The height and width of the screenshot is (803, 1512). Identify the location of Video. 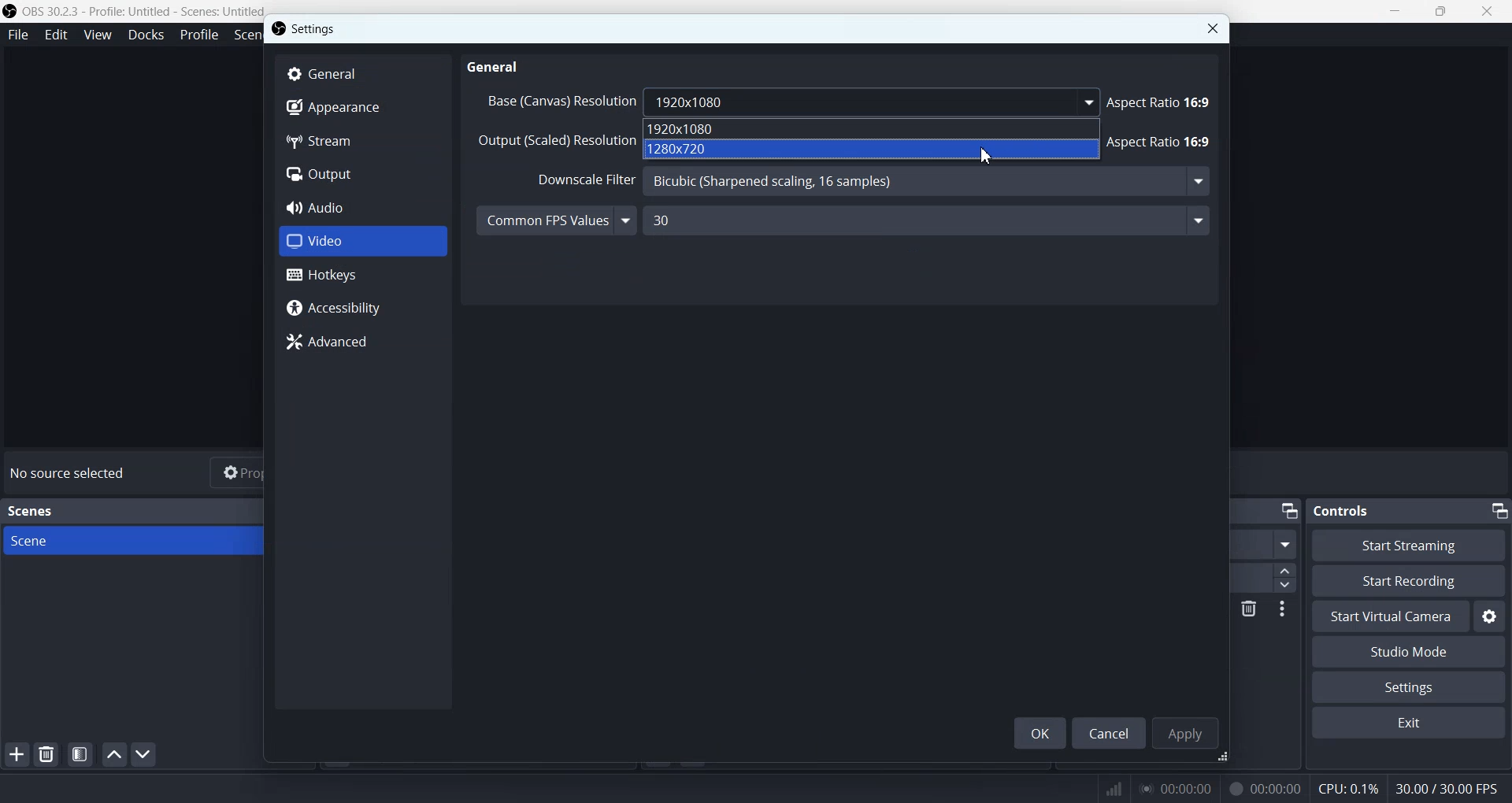
(361, 242).